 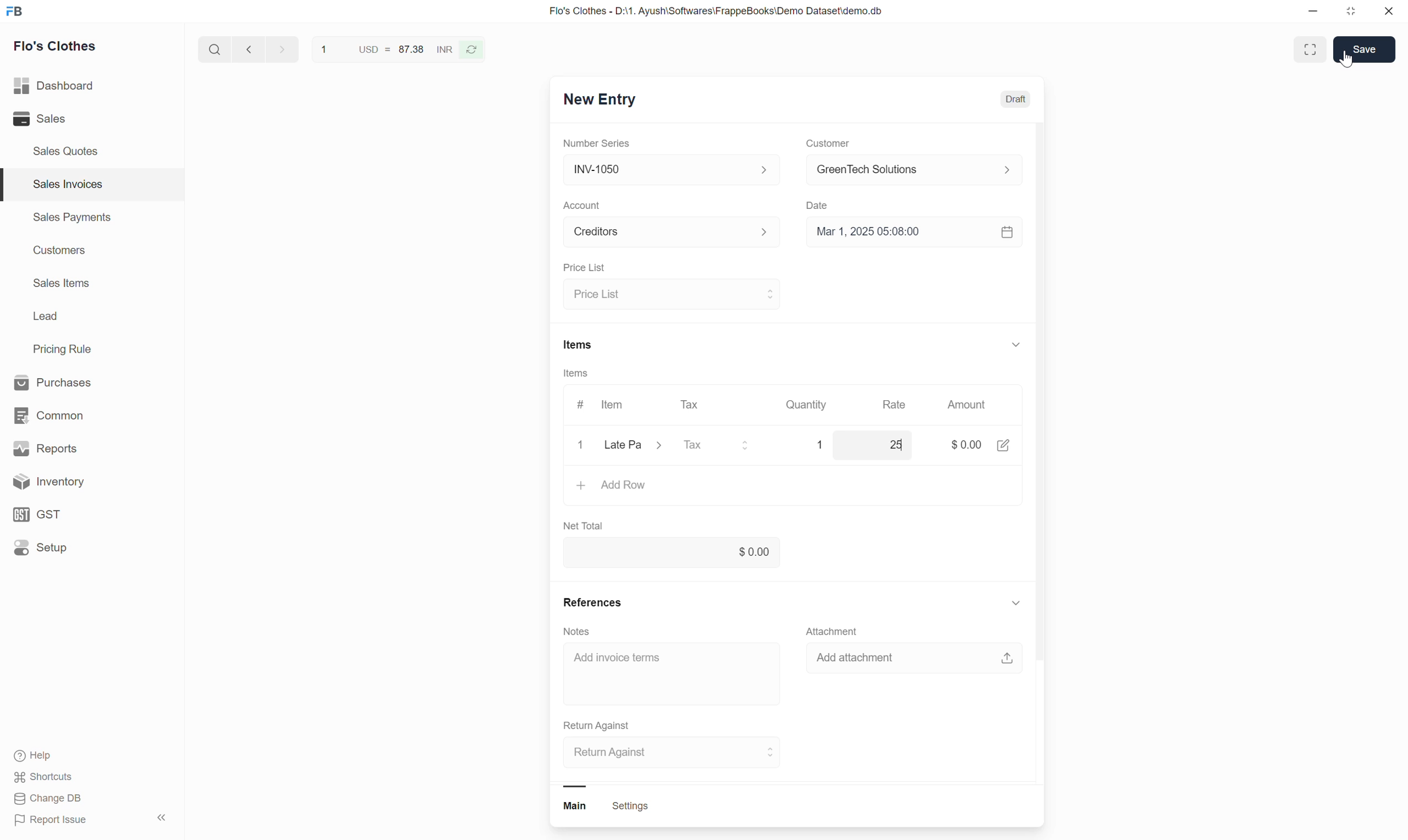 I want to click on Notes, so click(x=577, y=629).